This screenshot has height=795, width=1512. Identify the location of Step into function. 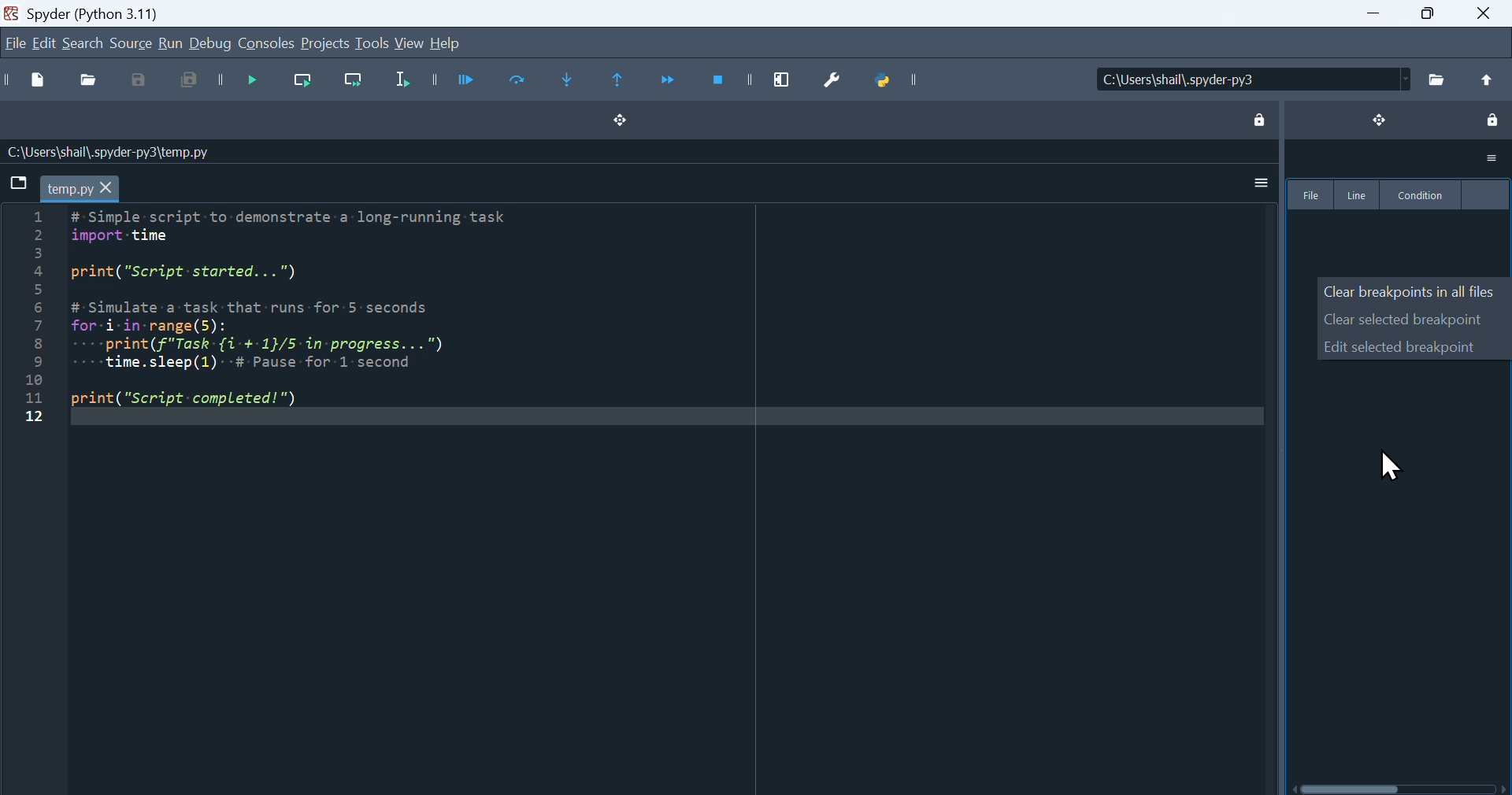
(571, 81).